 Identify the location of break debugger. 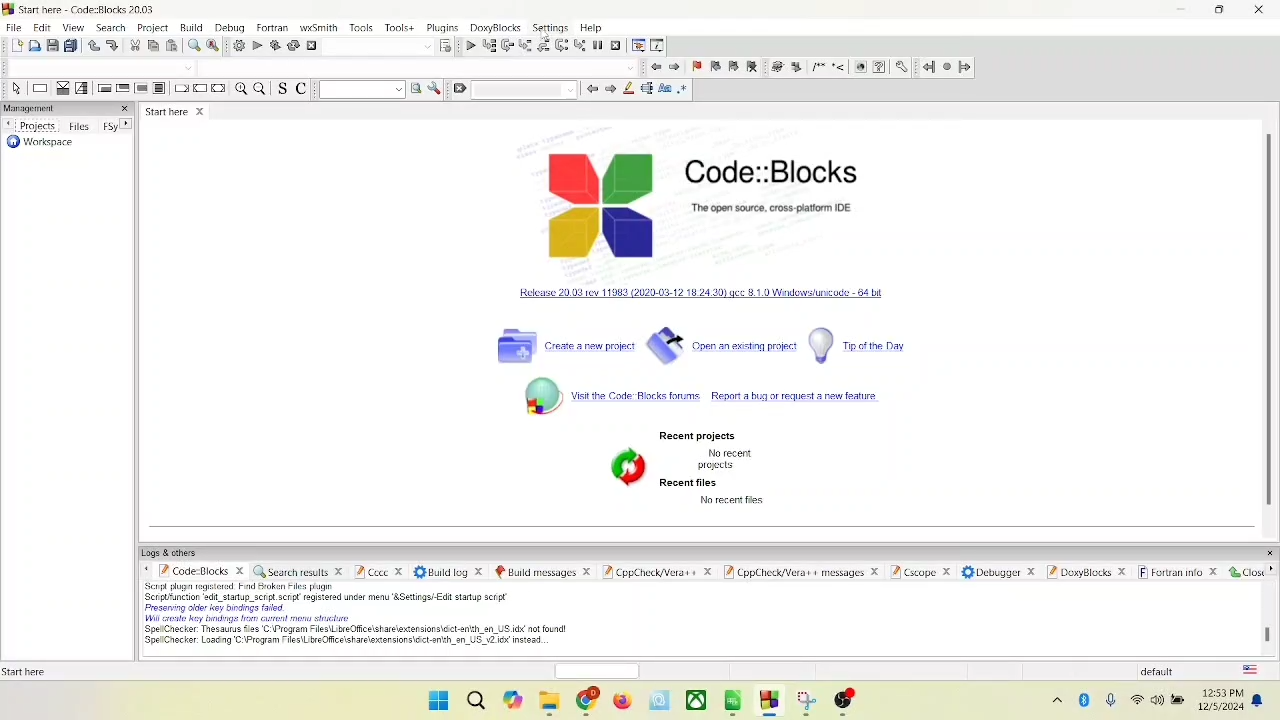
(598, 43).